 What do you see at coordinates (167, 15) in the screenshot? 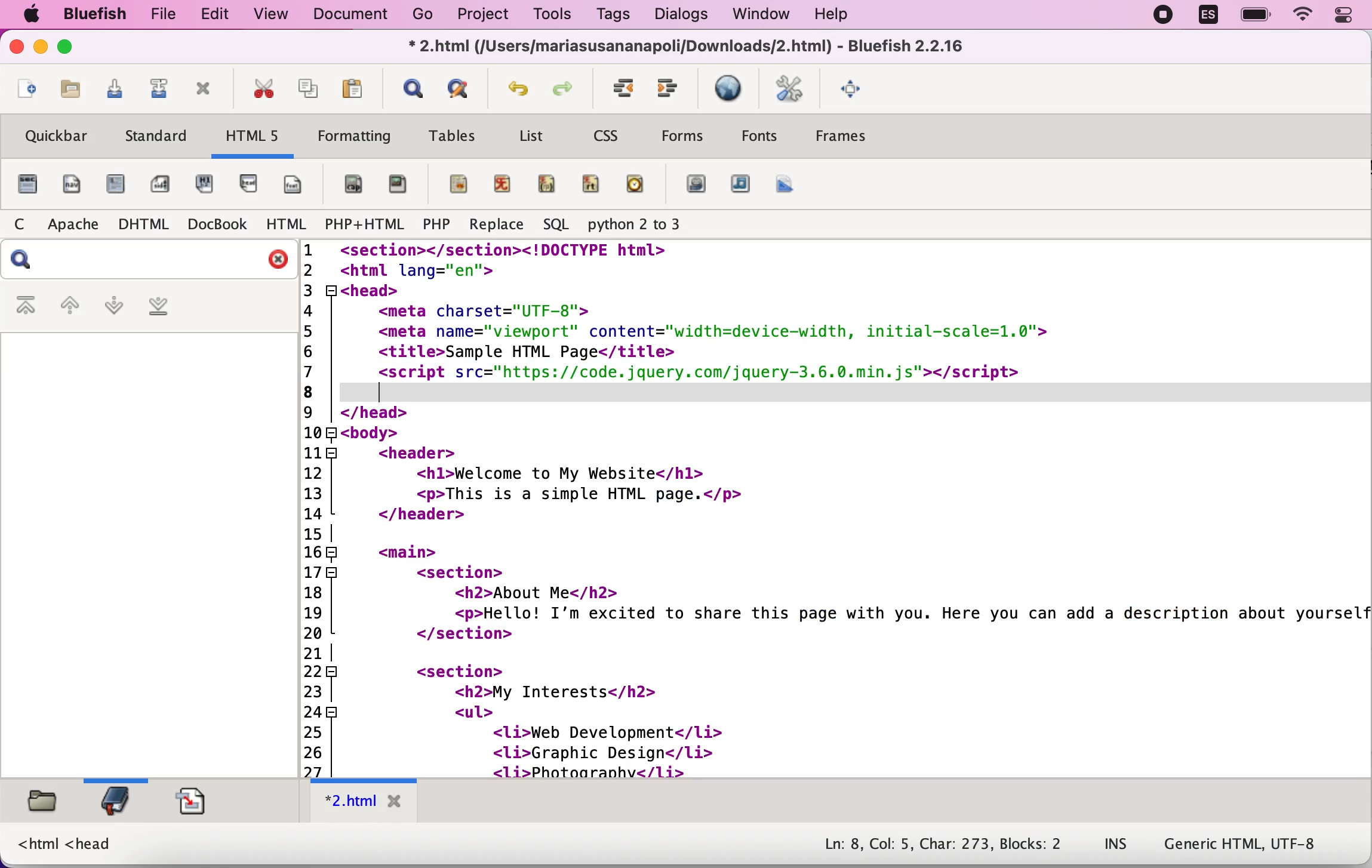
I see `file` at bounding box center [167, 15].